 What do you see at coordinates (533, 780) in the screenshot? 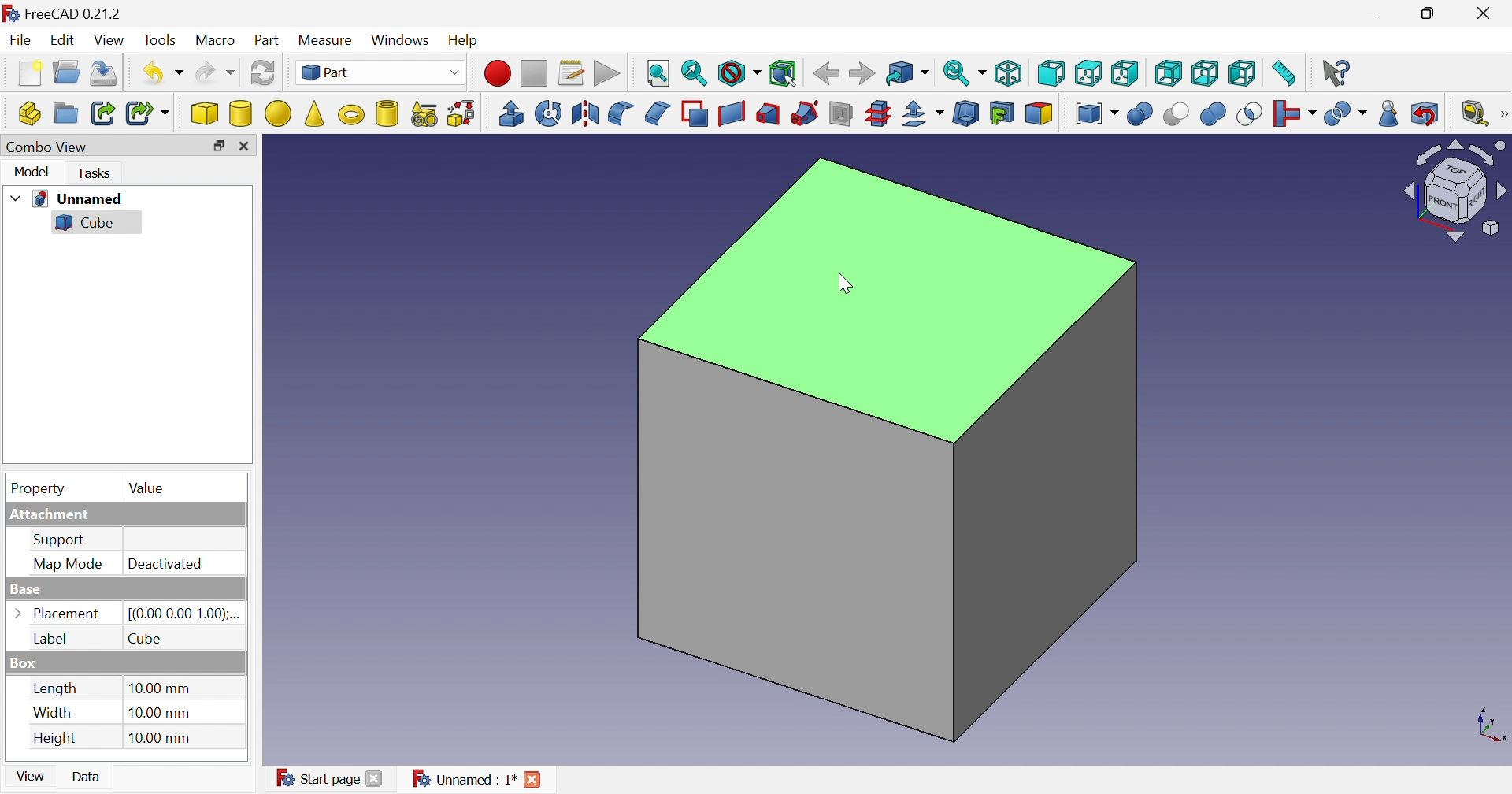
I see `Close` at bounding box center [533, 780].